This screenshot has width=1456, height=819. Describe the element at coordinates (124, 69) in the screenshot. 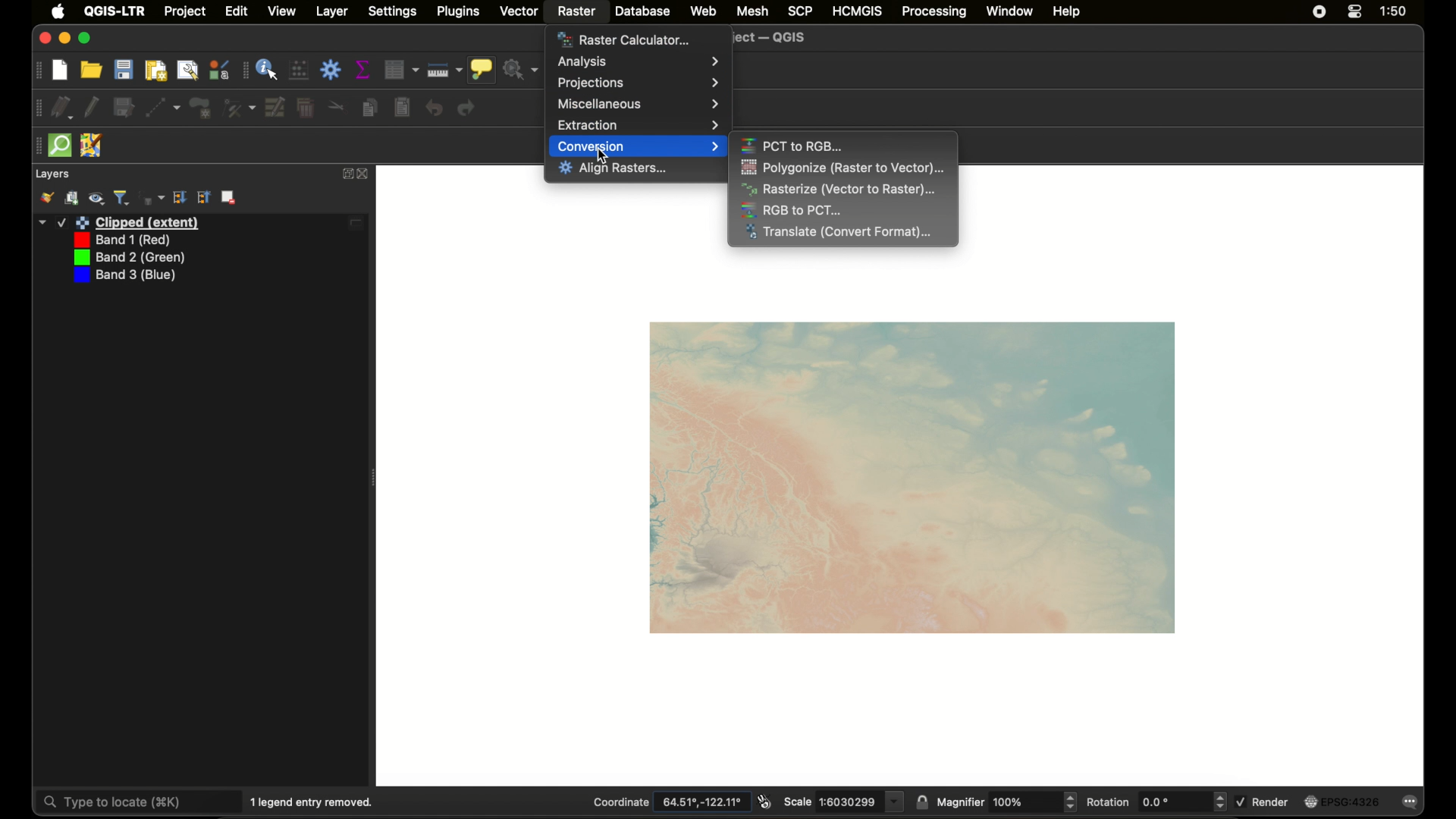

I see `save` at that location.